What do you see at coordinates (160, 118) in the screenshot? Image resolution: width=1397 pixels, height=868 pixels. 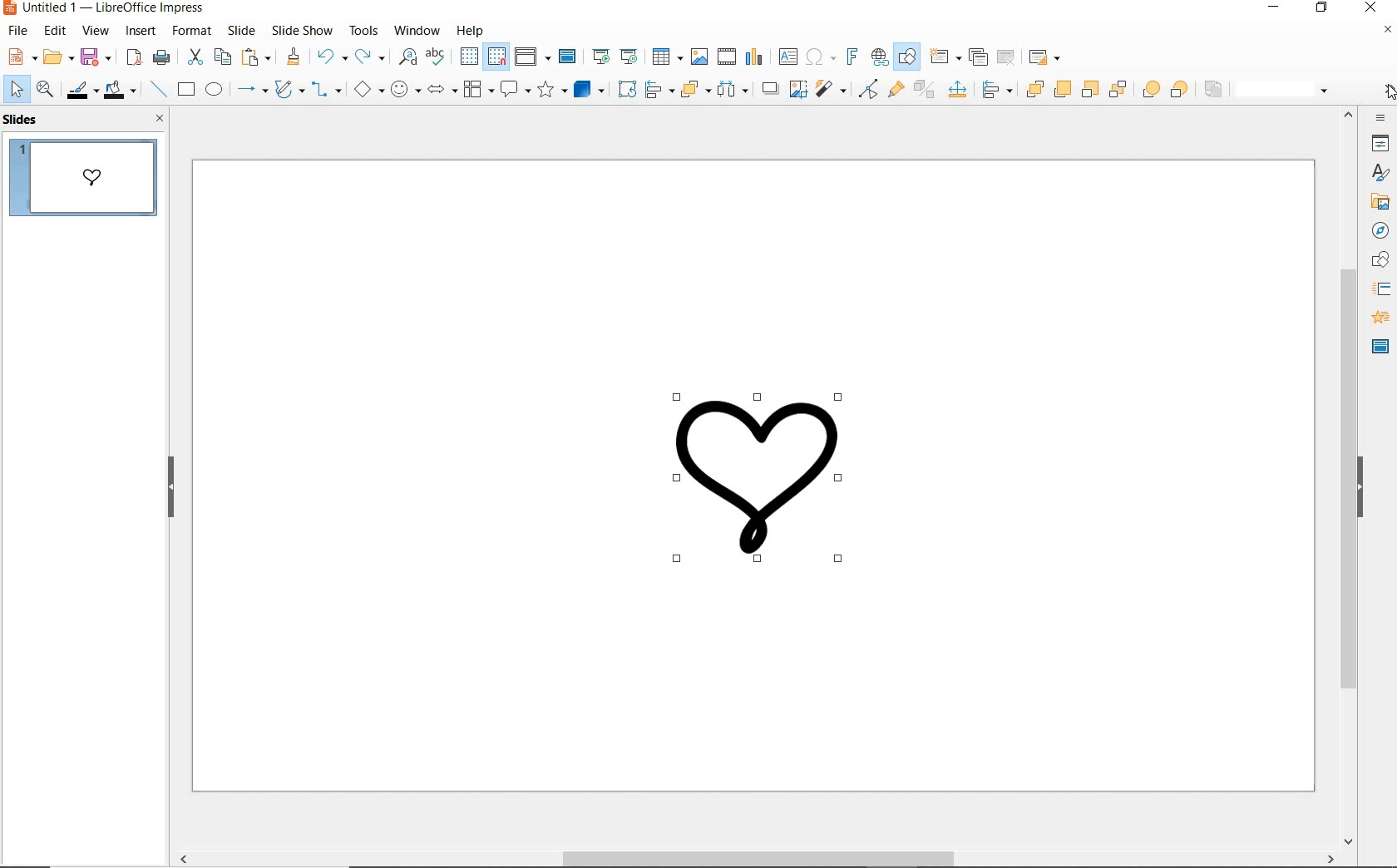 I see `CLOSE` at bounding box center [160, 118].